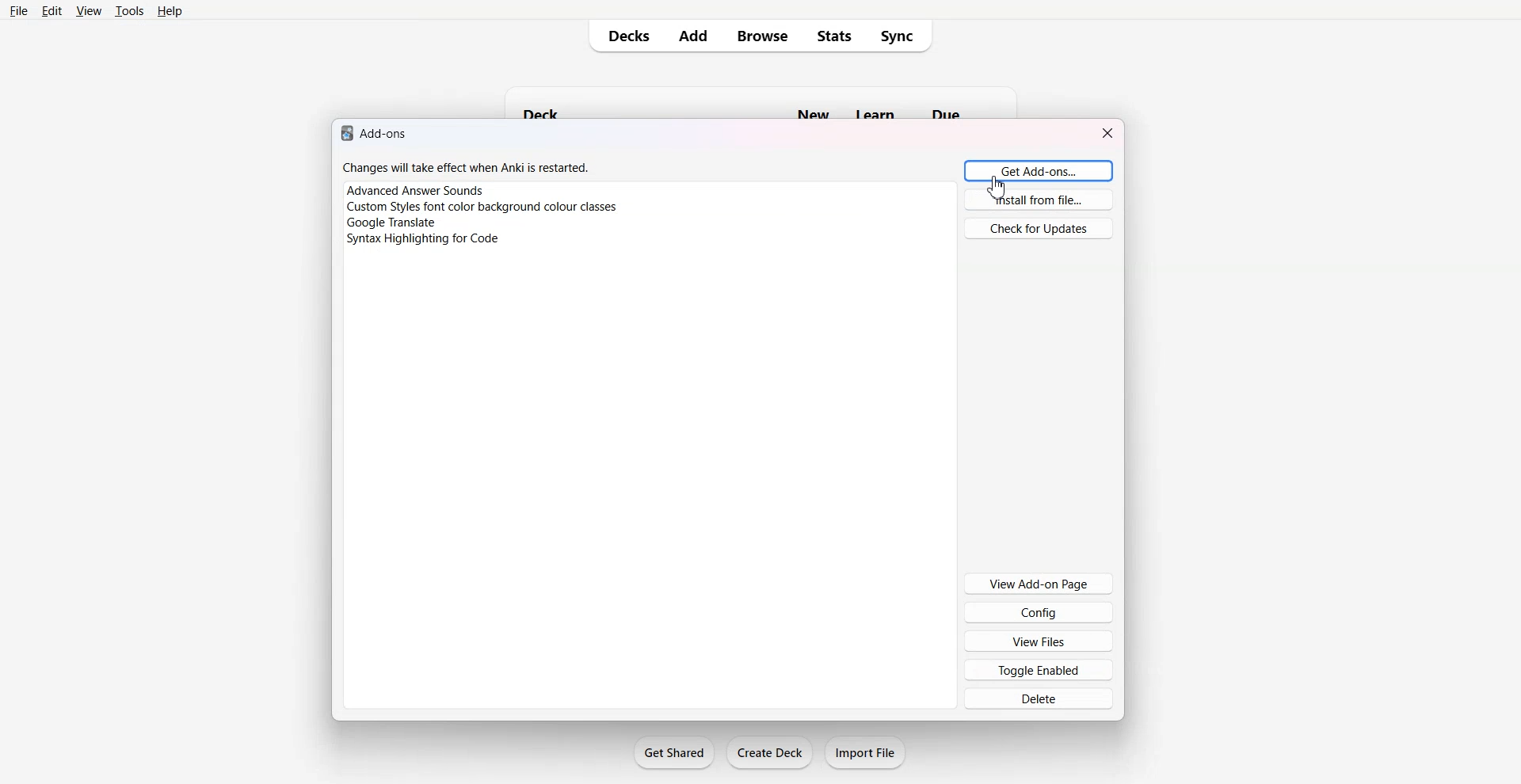 Image resolution: width=1521 pixels, height=784 pixels. What do you see at coordinates (88, 11) in the screenshot?
I see `View` at bounding box center [88, 11].